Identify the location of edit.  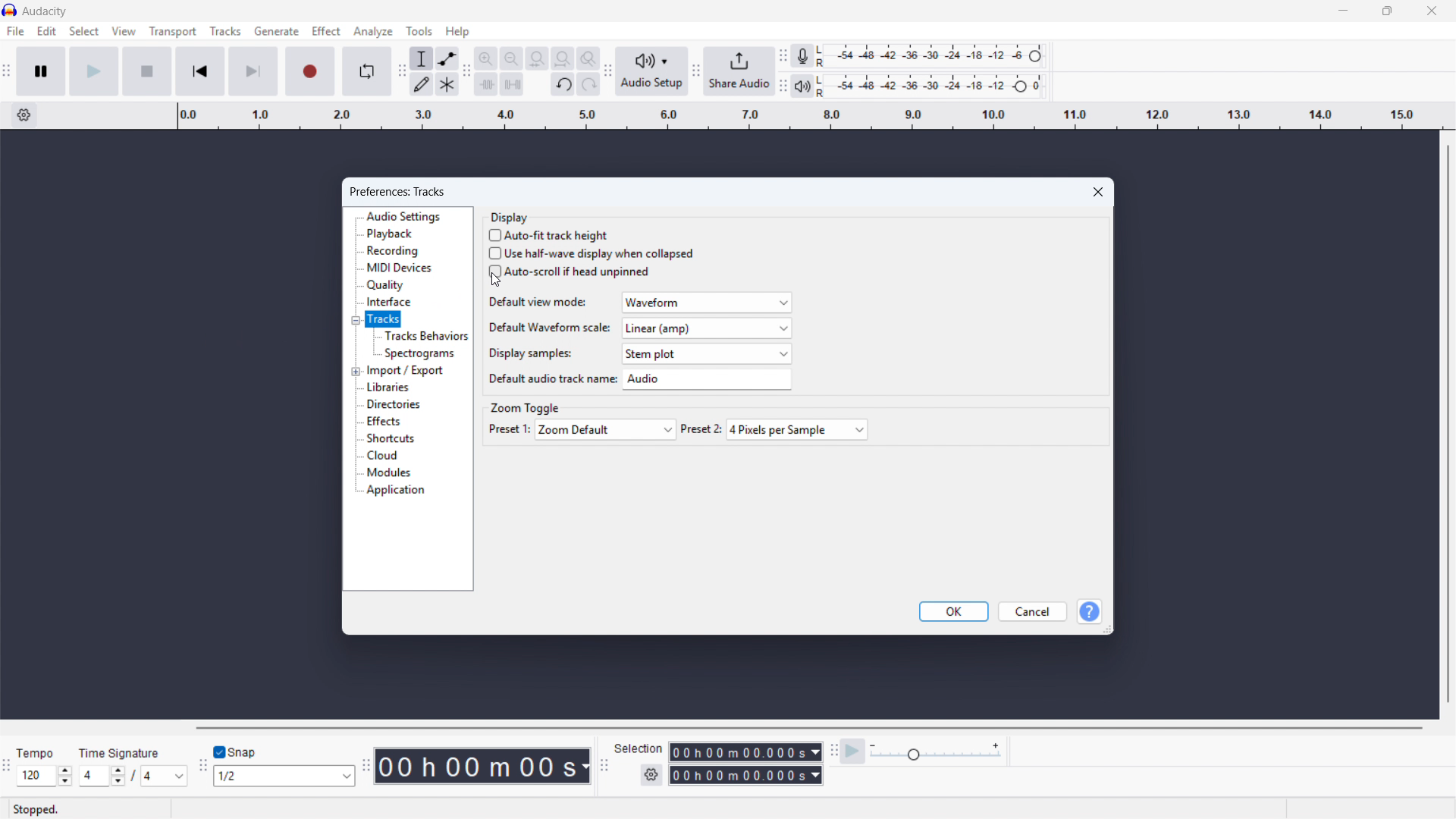
(48, 32).